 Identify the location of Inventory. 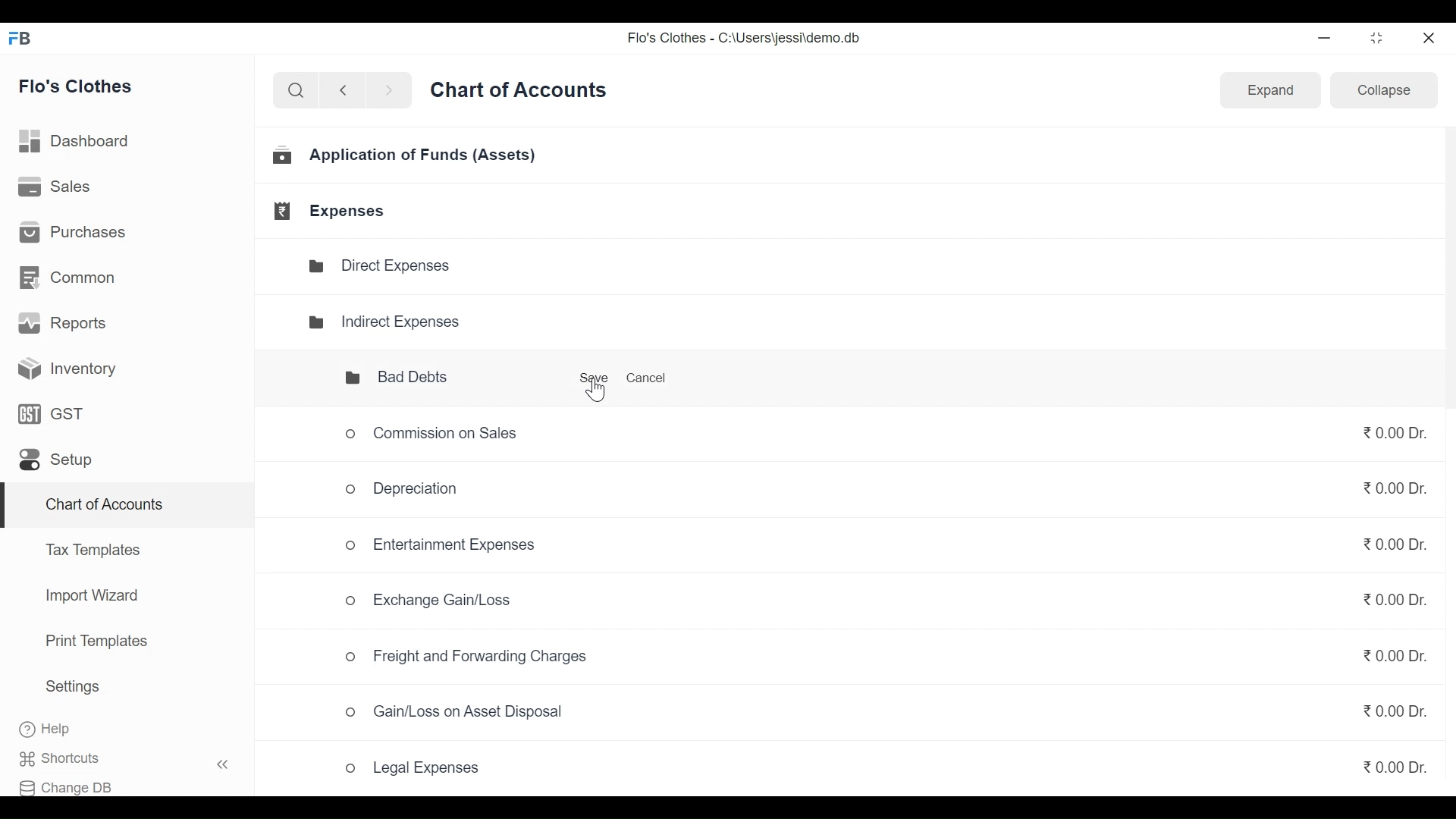
(62, 368).